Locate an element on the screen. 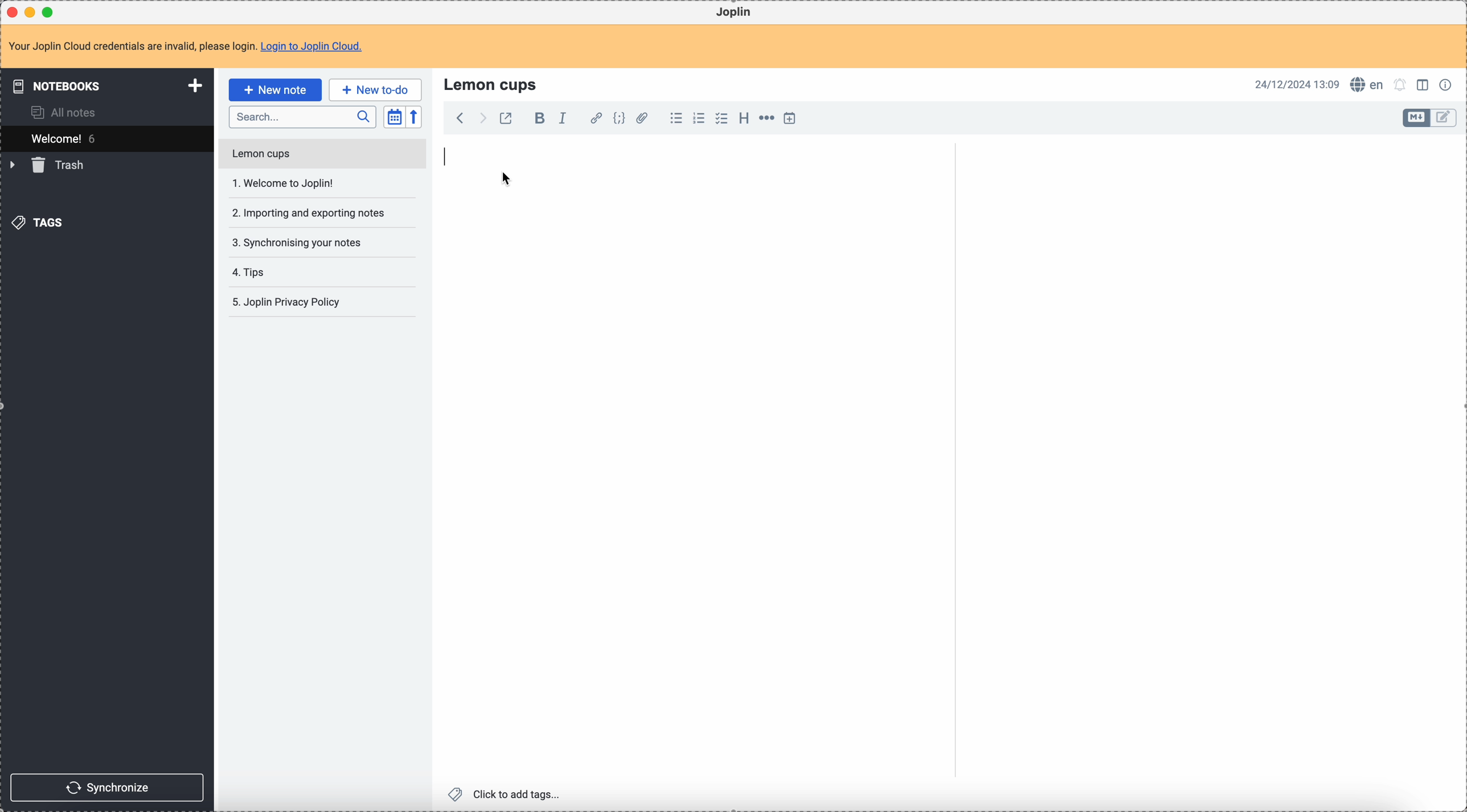  toggle edit layout is located at coordinates (1424, 84).